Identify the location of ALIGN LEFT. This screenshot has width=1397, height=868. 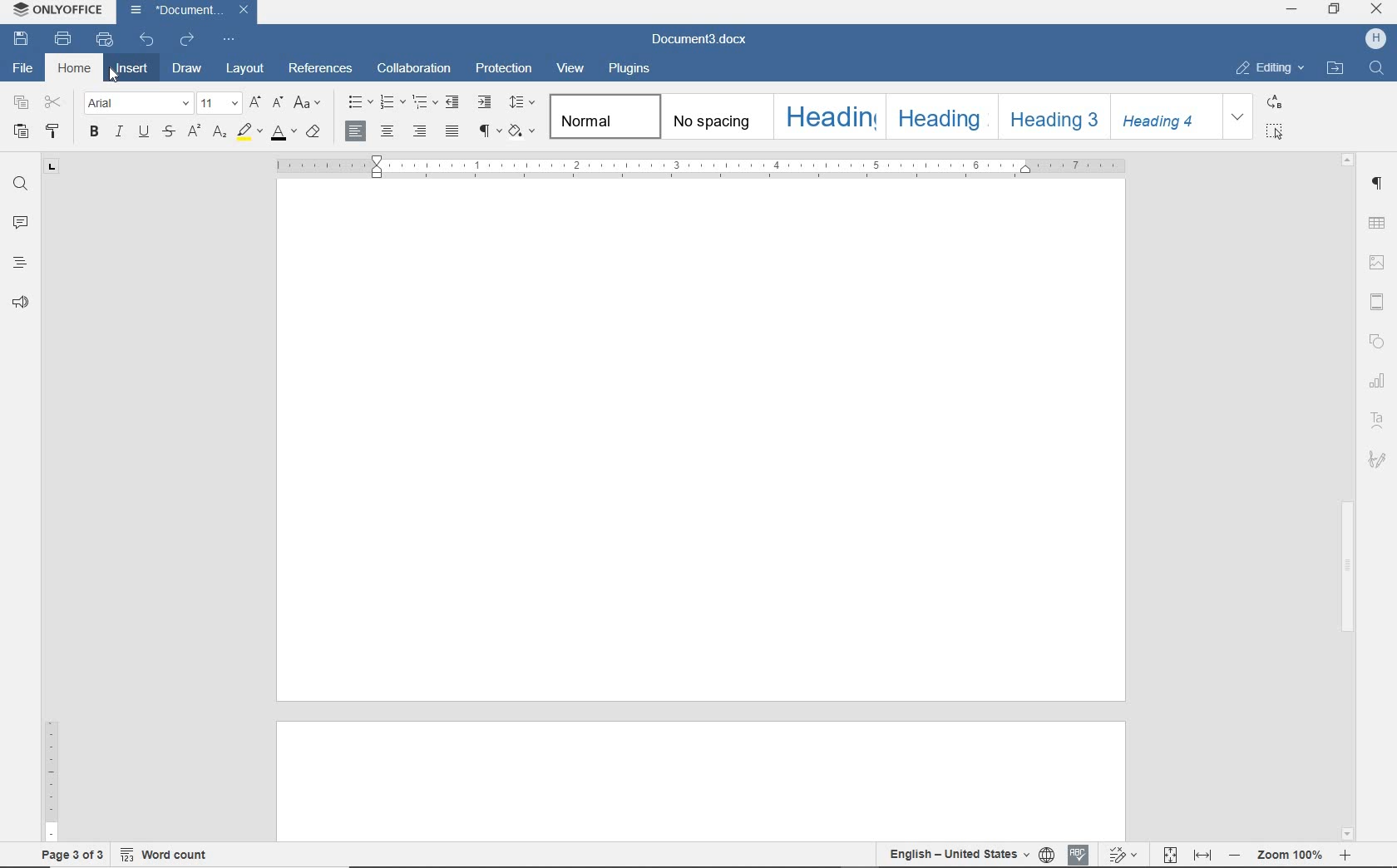
(355, 131).